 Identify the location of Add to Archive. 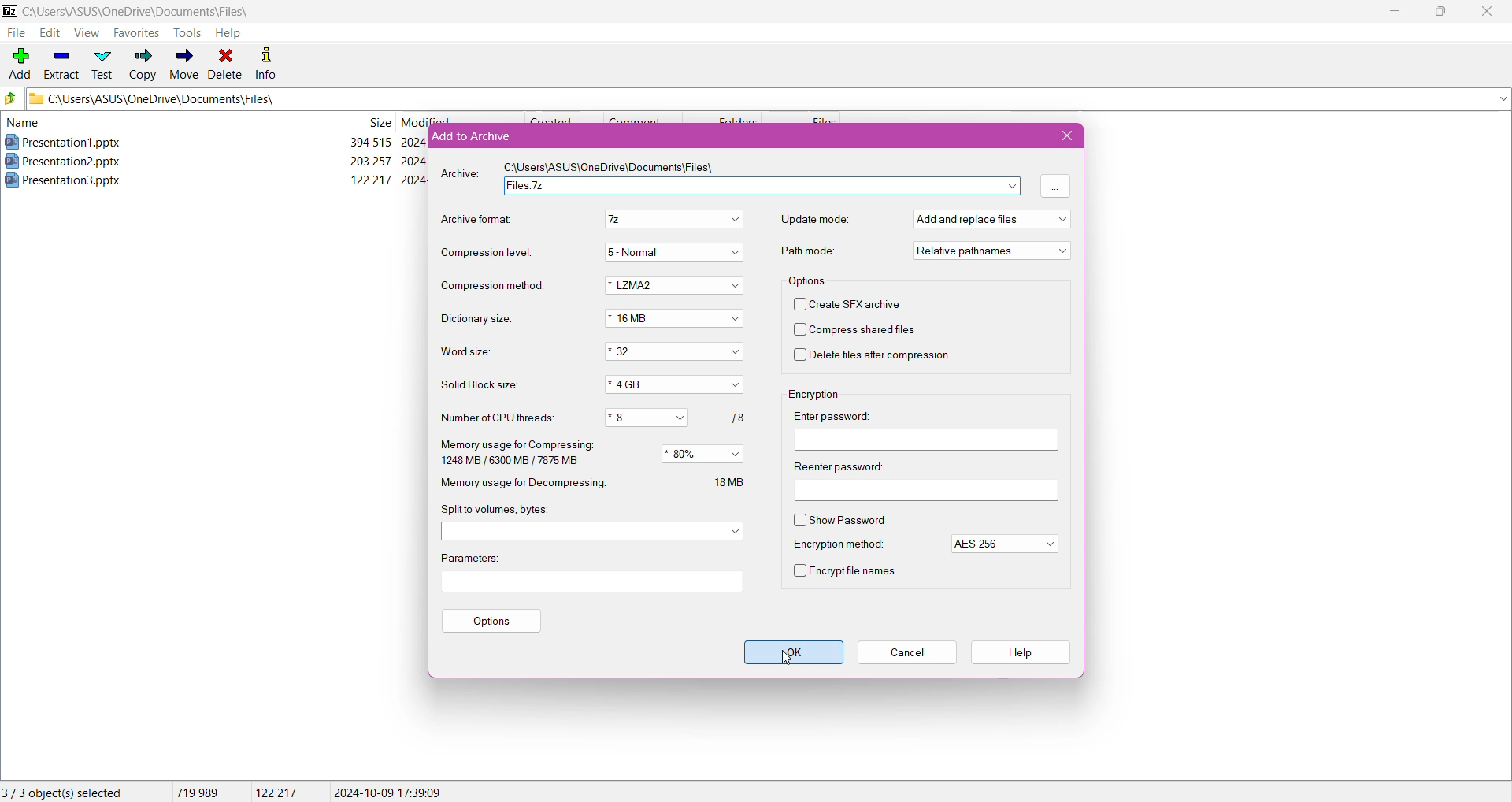
(475, 136).